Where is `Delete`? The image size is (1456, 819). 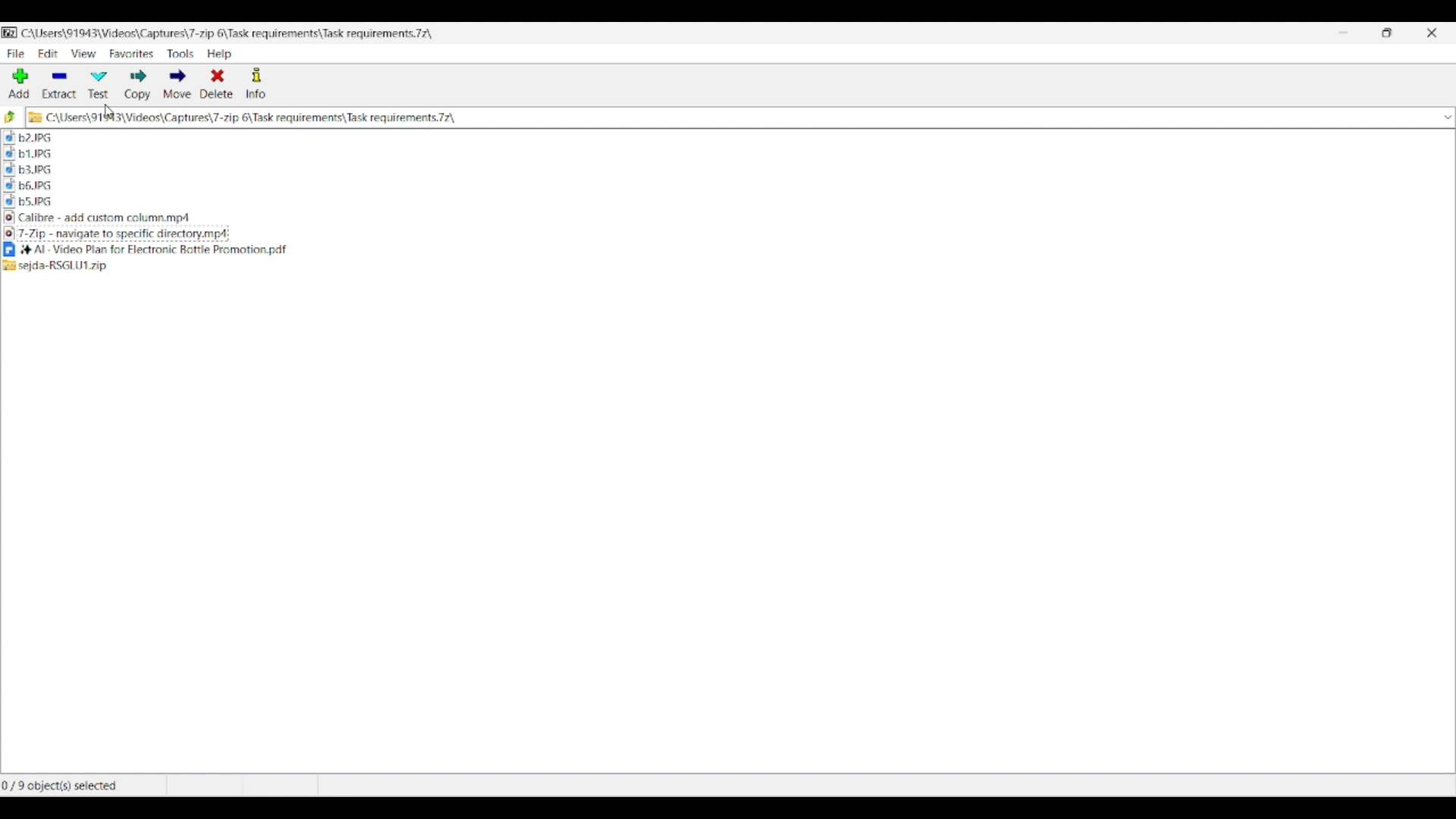 Delete is located at coordinates (217, 83).